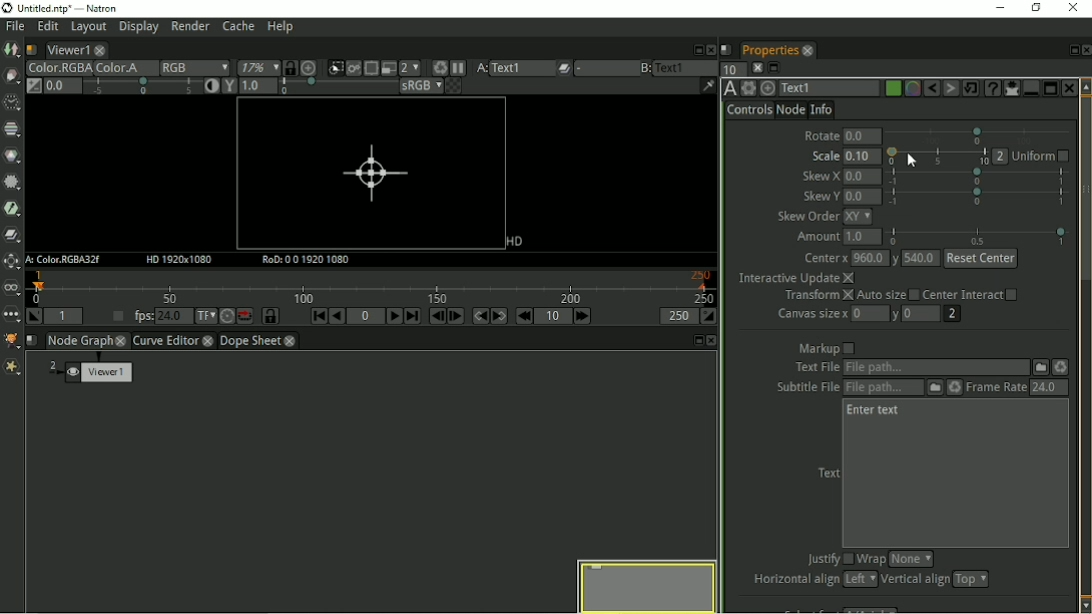  Describe the element at coordinates (729, 89) in the screenshot. I see `TextOFX Version 6.13` at that location.